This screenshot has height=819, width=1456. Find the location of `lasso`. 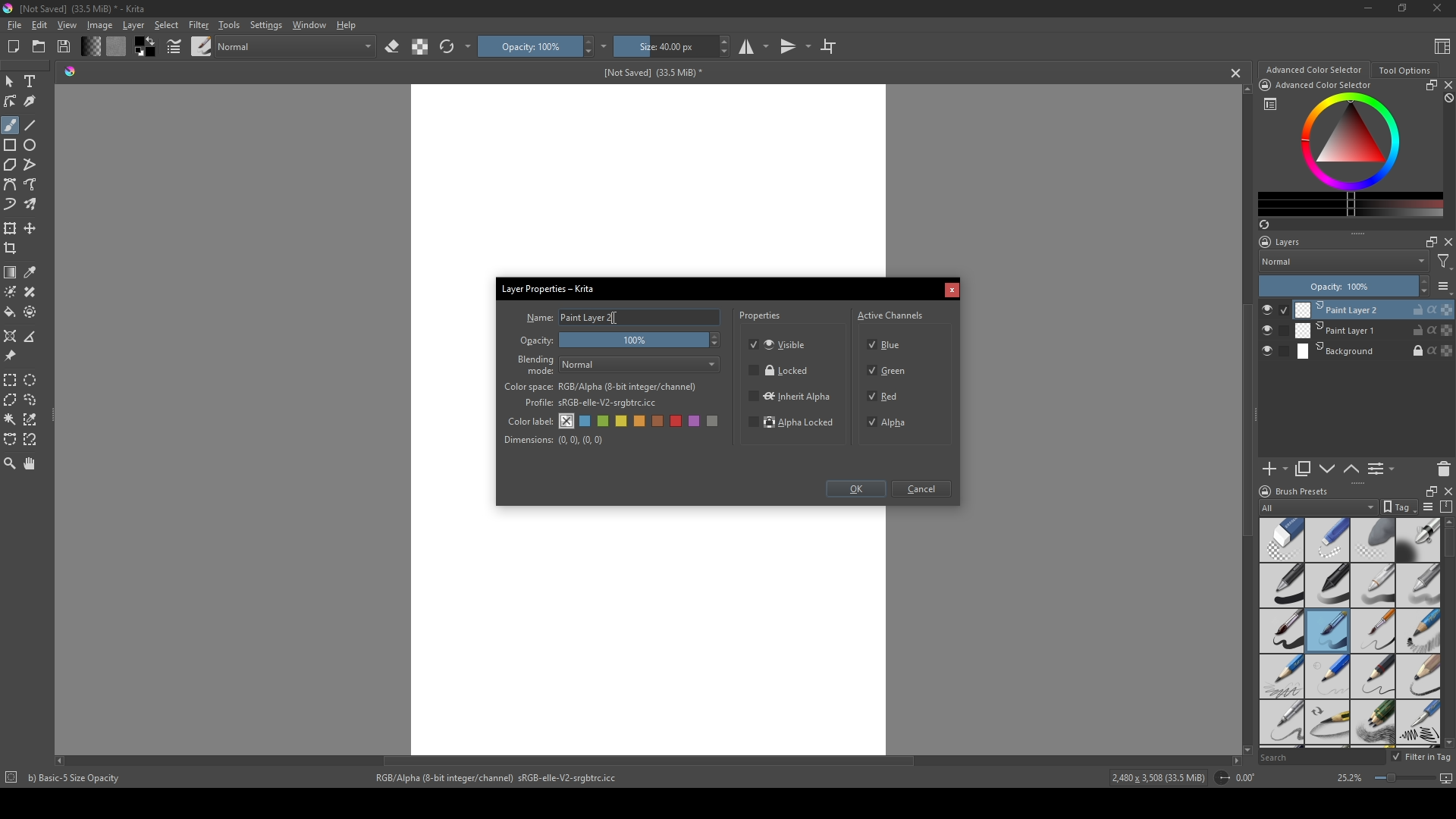

lasso is located at coordinates (32, 400).